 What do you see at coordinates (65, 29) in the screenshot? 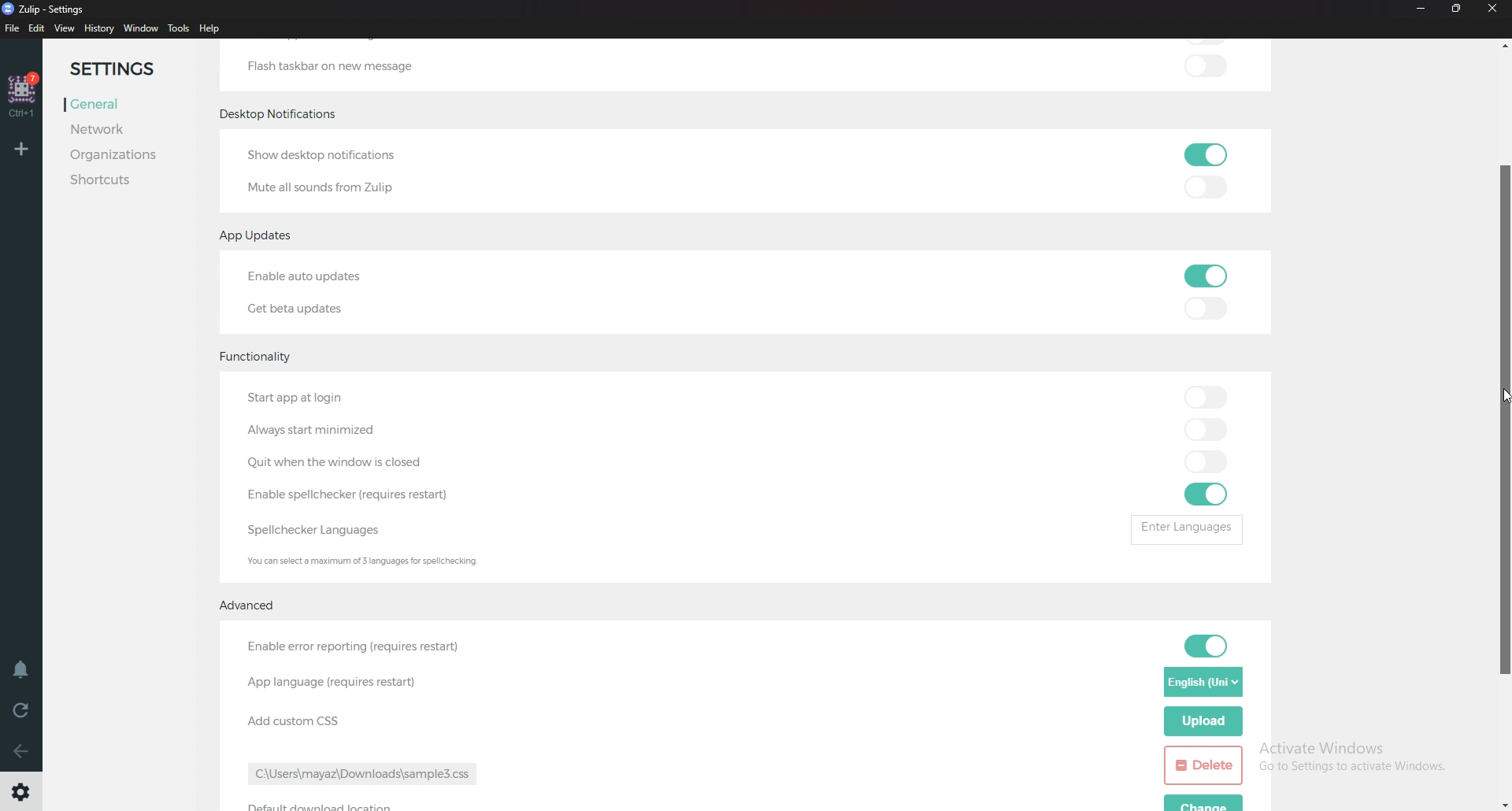
I see `view` at bounding box center [65, 29].